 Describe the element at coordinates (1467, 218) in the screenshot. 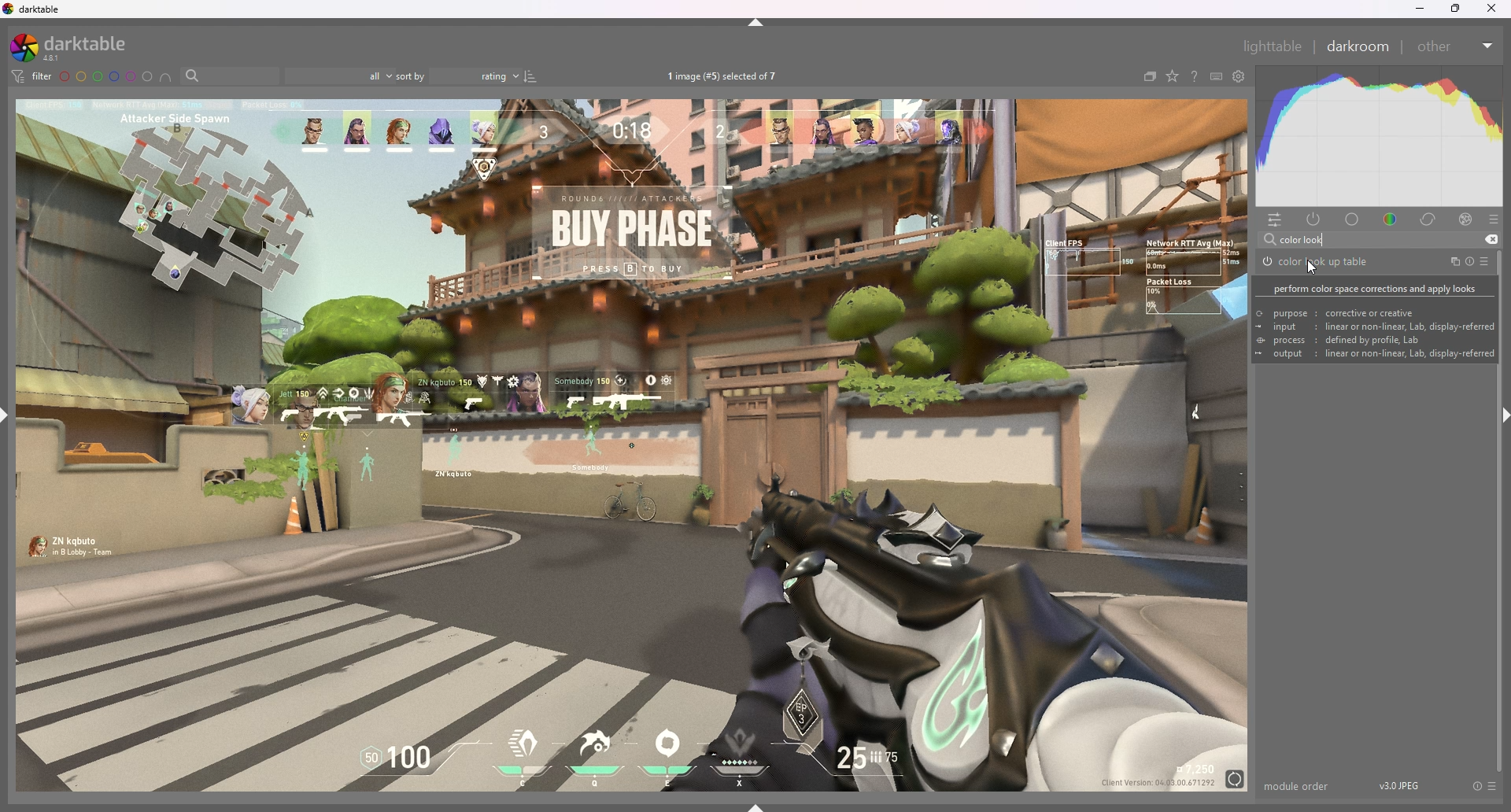

I see `effect` at that location.